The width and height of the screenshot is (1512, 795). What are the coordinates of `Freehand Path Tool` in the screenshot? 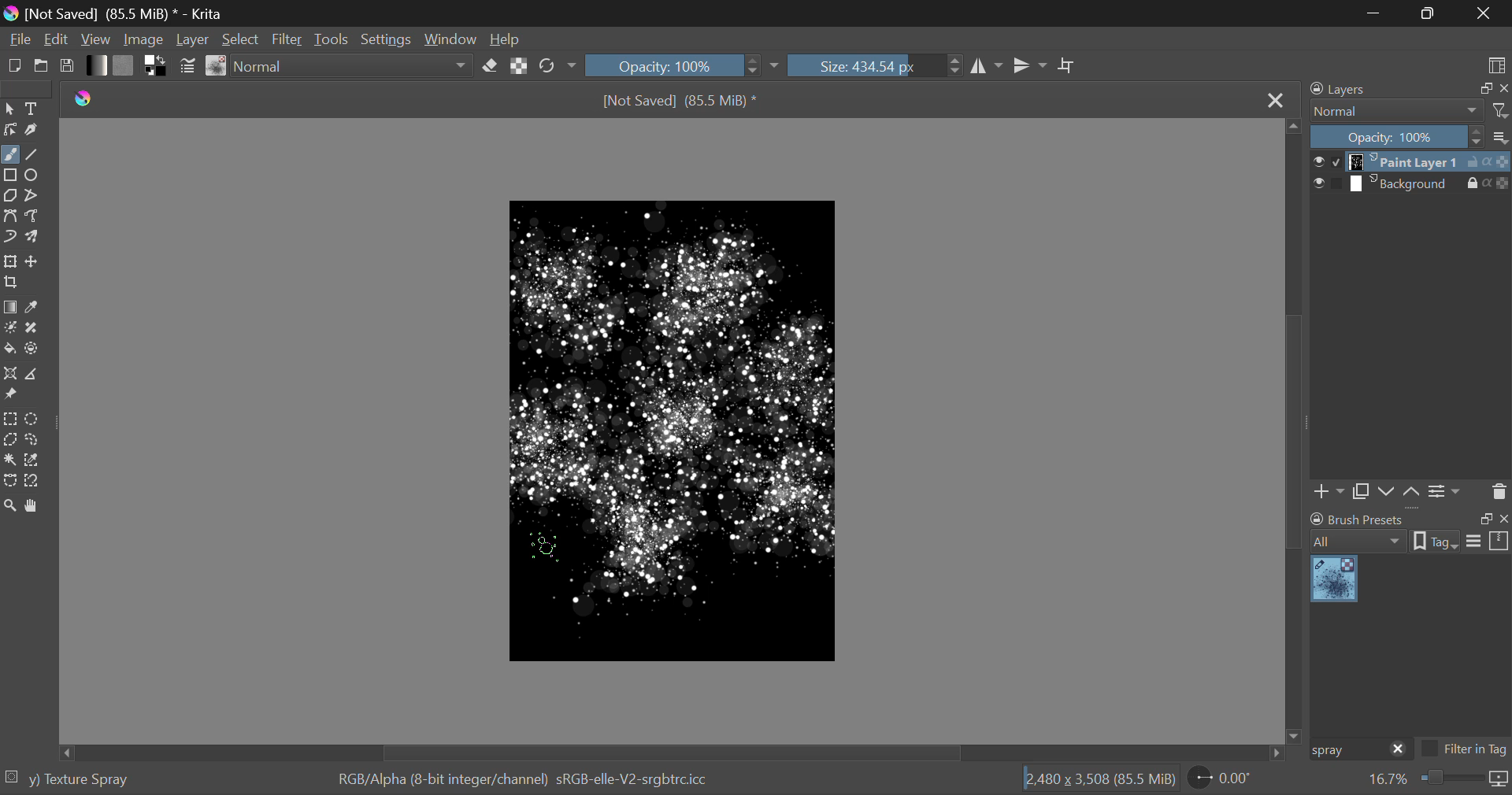 It's located at (33, 216).